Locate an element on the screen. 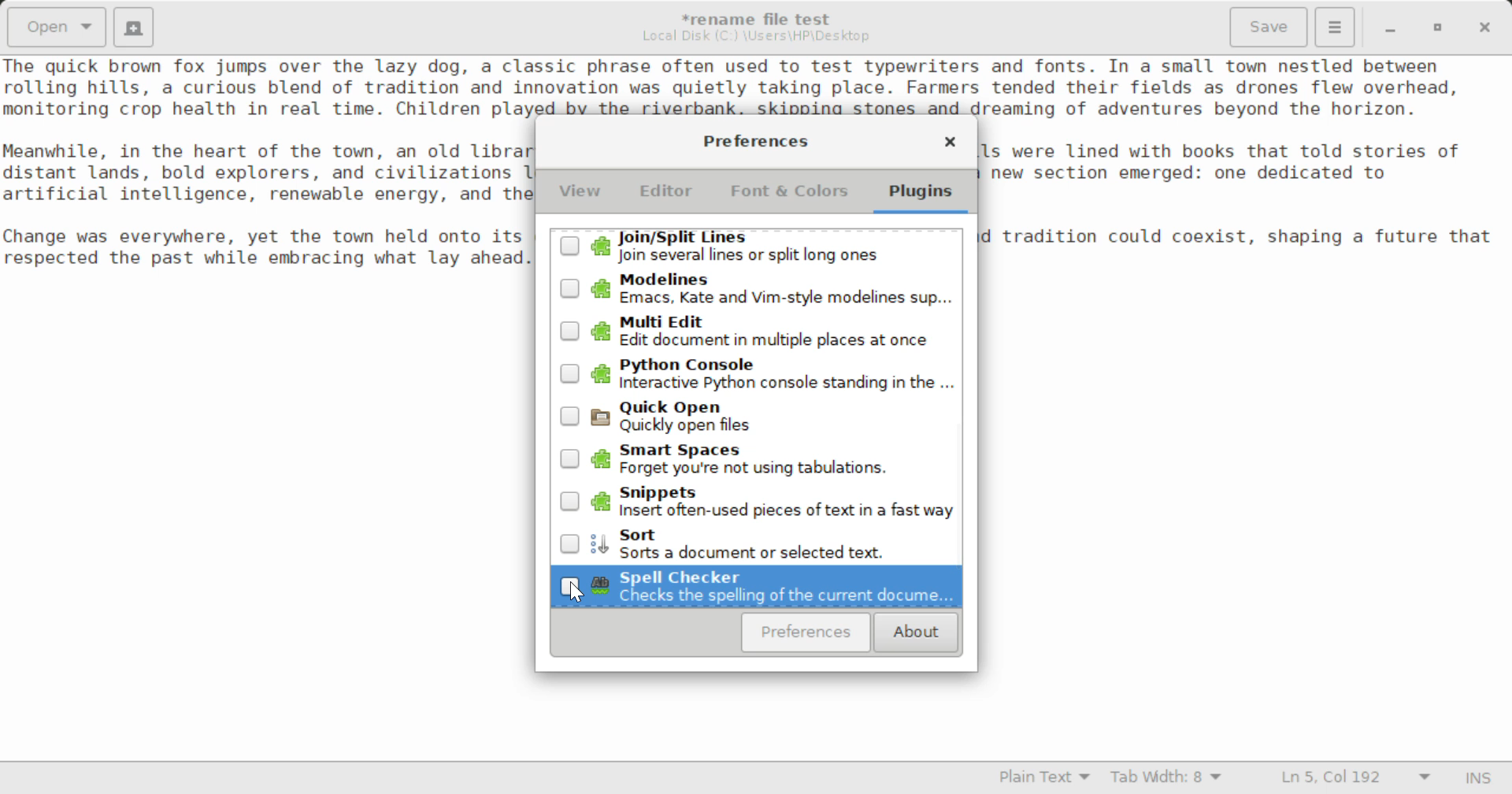 The width and height of the screenshot is (1512, 794). Quickly Open Plugin Button Unselected is located at coordinates (756, 416).